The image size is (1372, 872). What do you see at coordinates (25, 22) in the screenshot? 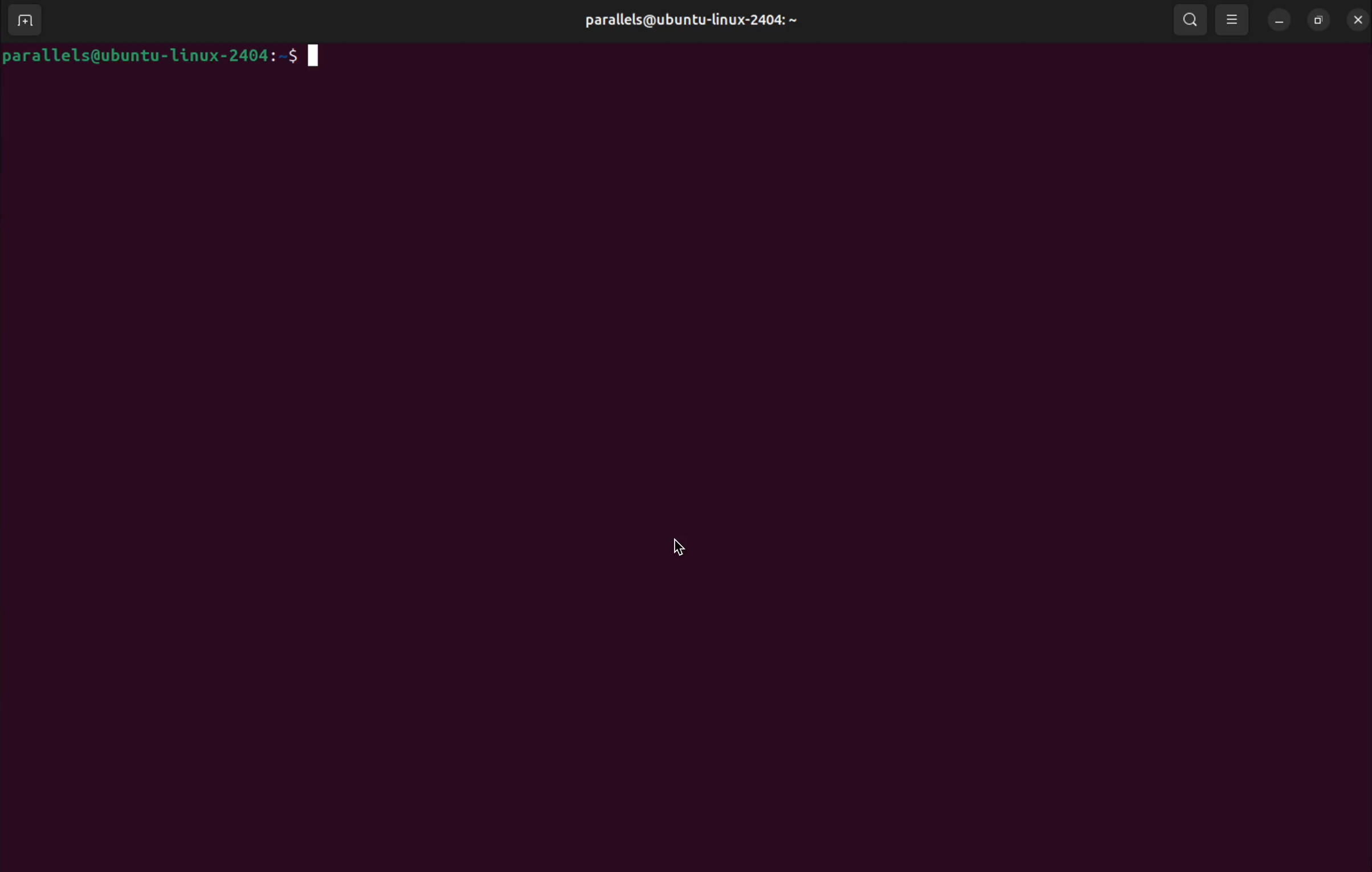
I see `add terminal` at bounding box center [25, 22].